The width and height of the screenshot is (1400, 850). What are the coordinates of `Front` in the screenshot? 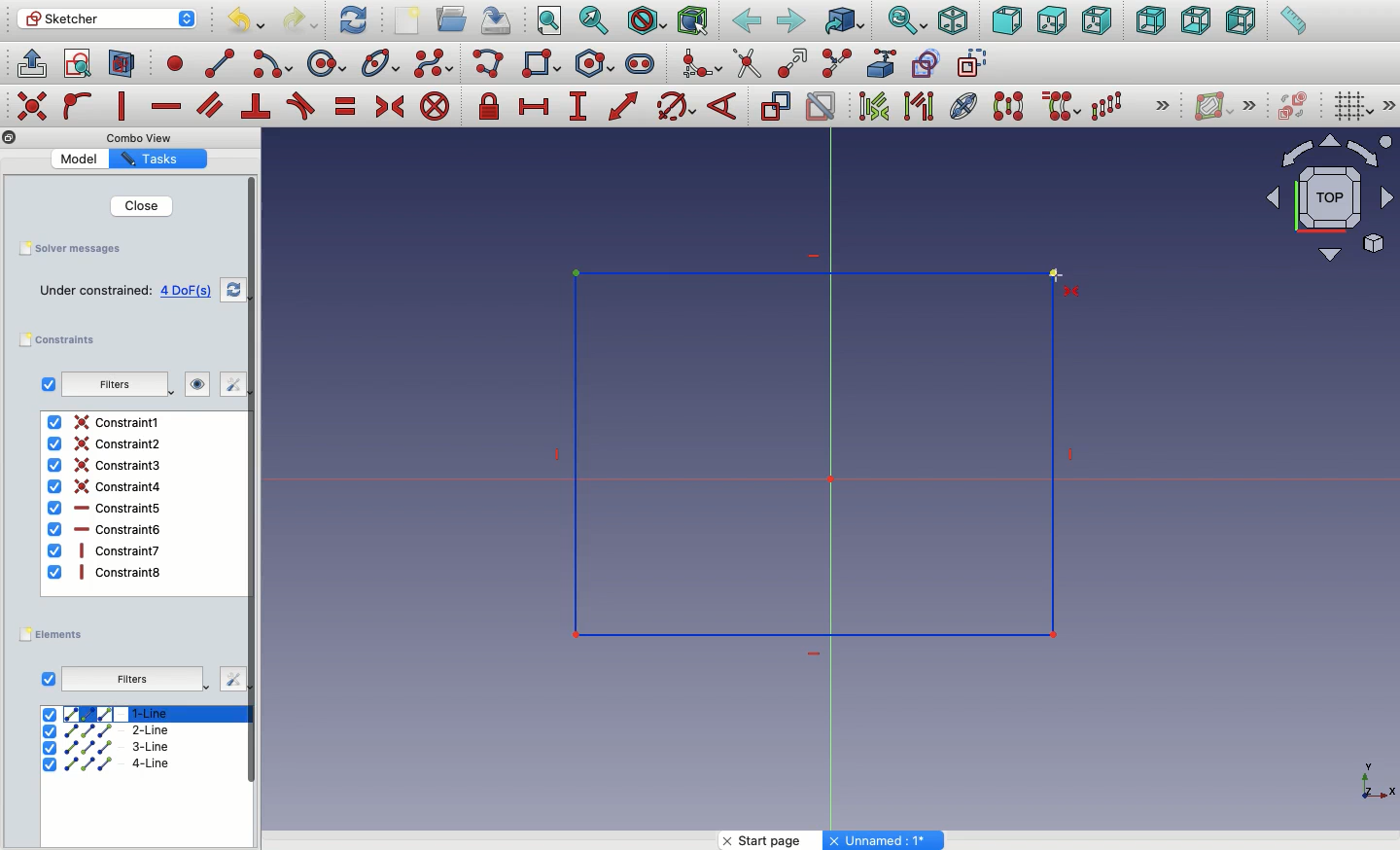 It's located at (1007, 22).